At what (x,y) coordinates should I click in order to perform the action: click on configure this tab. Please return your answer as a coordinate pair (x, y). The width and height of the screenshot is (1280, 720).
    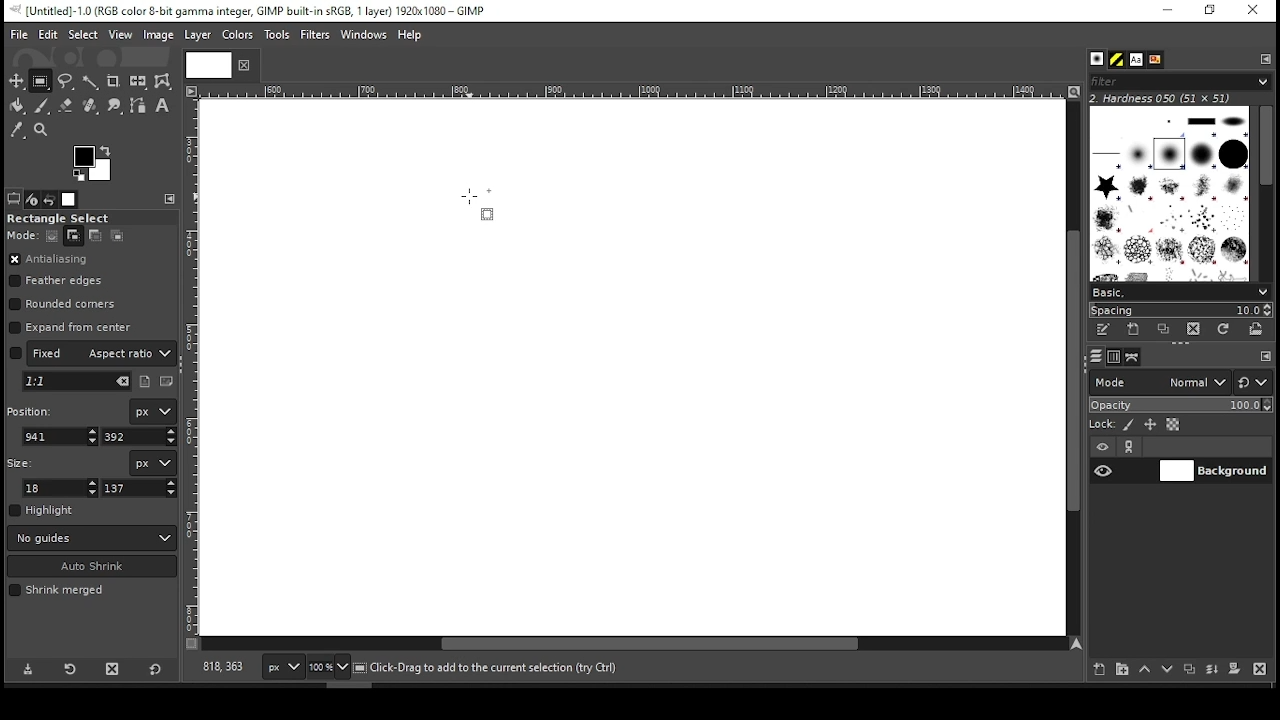
    Looking at the image, I should click on (1267, 58).